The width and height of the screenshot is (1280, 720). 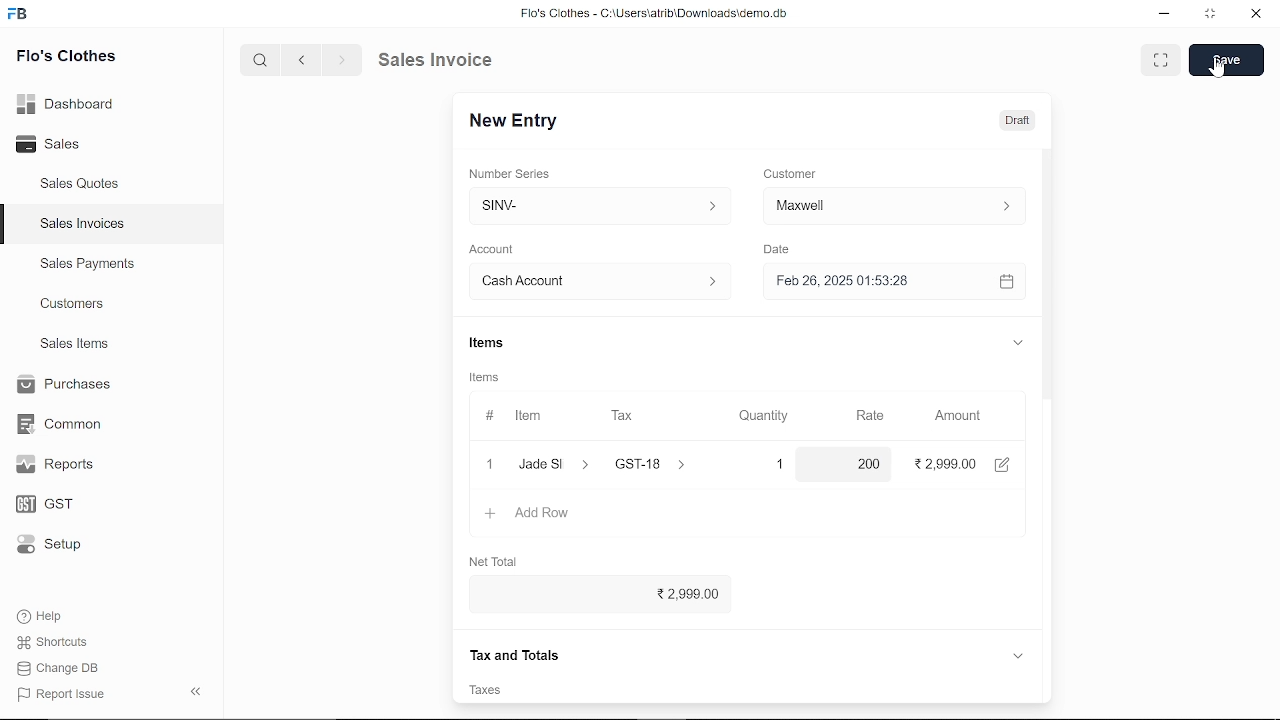 I want to click on restore down, so click(x=1212, y=15).